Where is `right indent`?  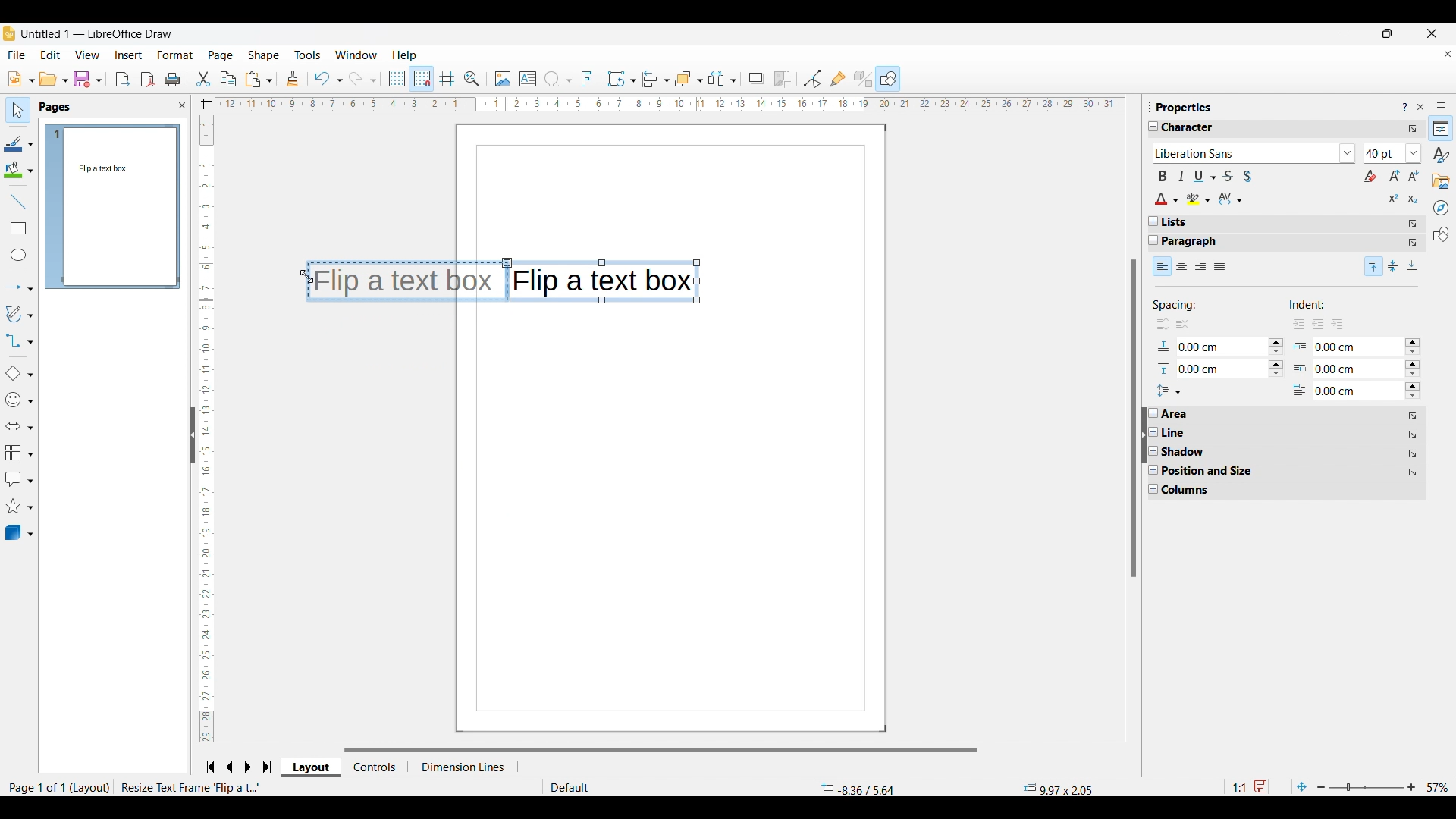
right indent is located at coordinates (1294, 325).